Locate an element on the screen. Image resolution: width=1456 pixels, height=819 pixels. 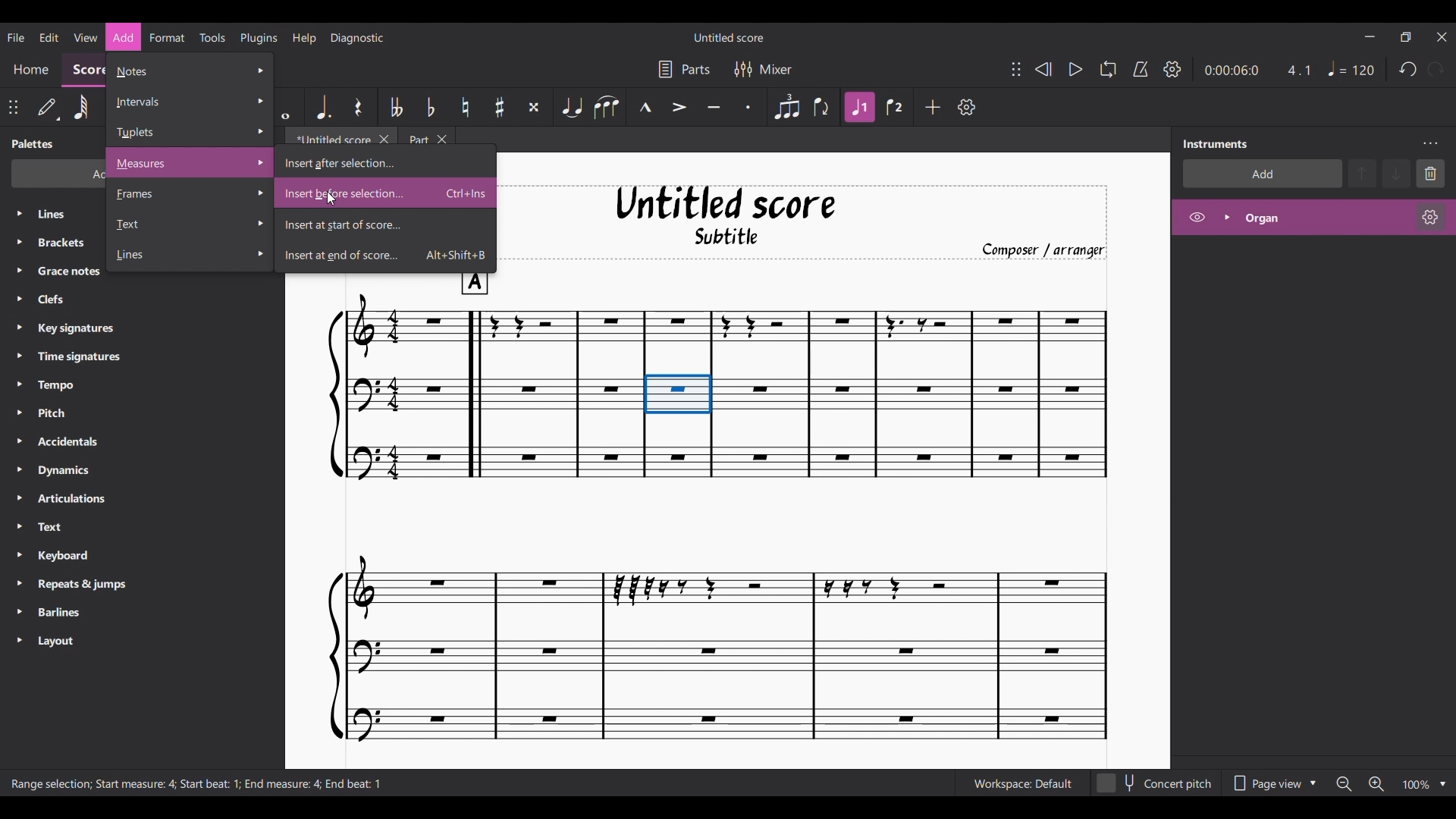
Text options is located at coordinates (190, 224).